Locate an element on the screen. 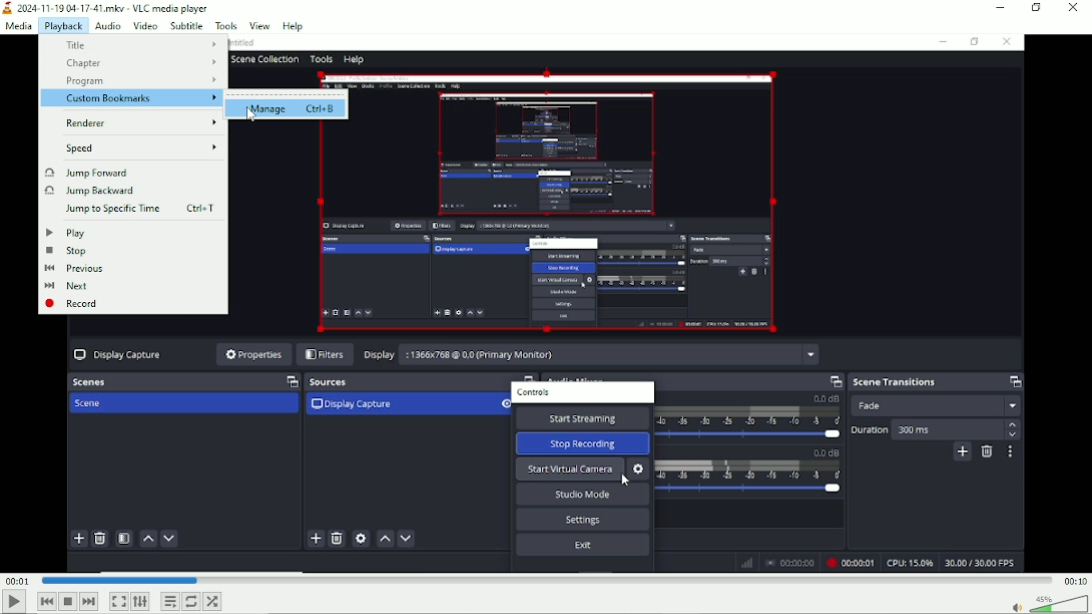 This screenshot has width=1092, height=614. Tools is located at coordinates (227, 26).